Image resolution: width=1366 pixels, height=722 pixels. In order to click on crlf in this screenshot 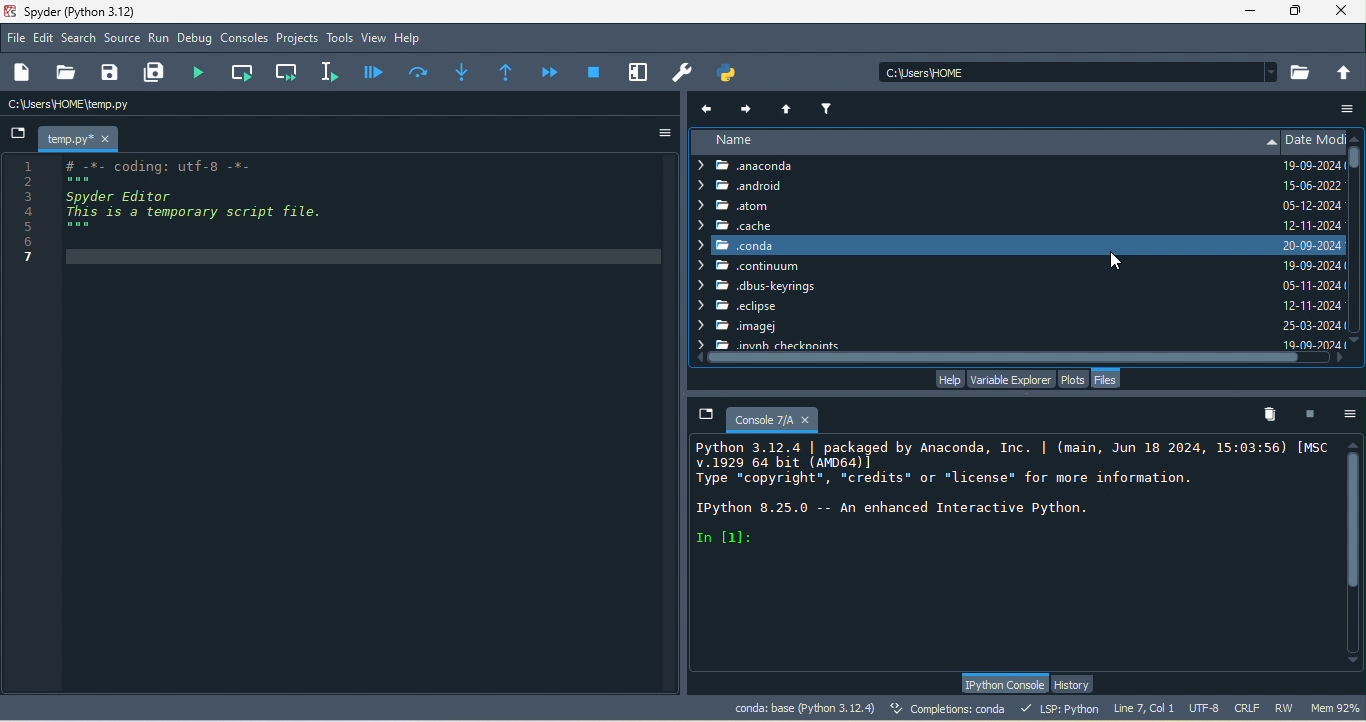, I will do `click(1250, 709)`.